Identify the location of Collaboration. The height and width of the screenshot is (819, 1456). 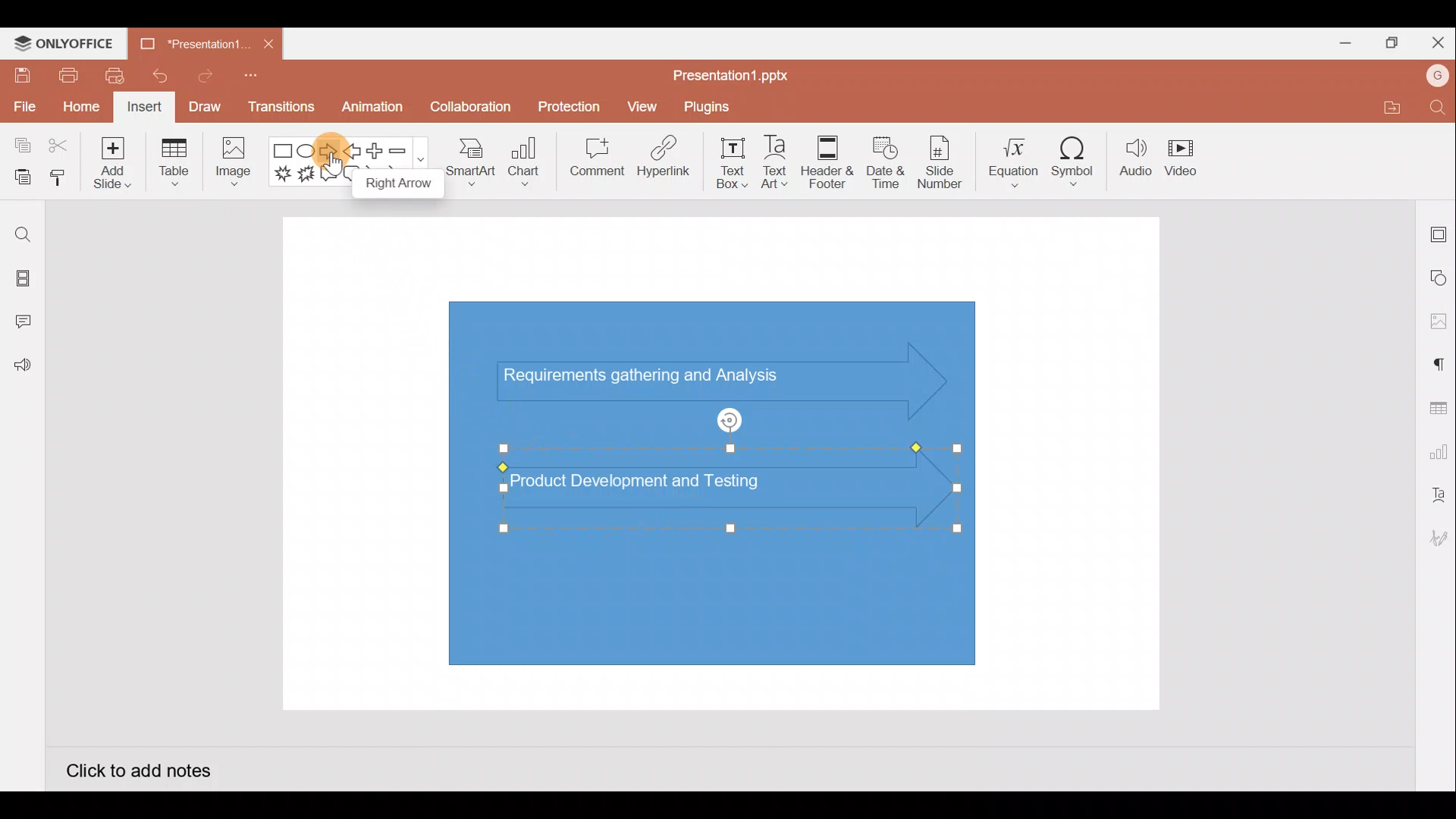
(469, 113).